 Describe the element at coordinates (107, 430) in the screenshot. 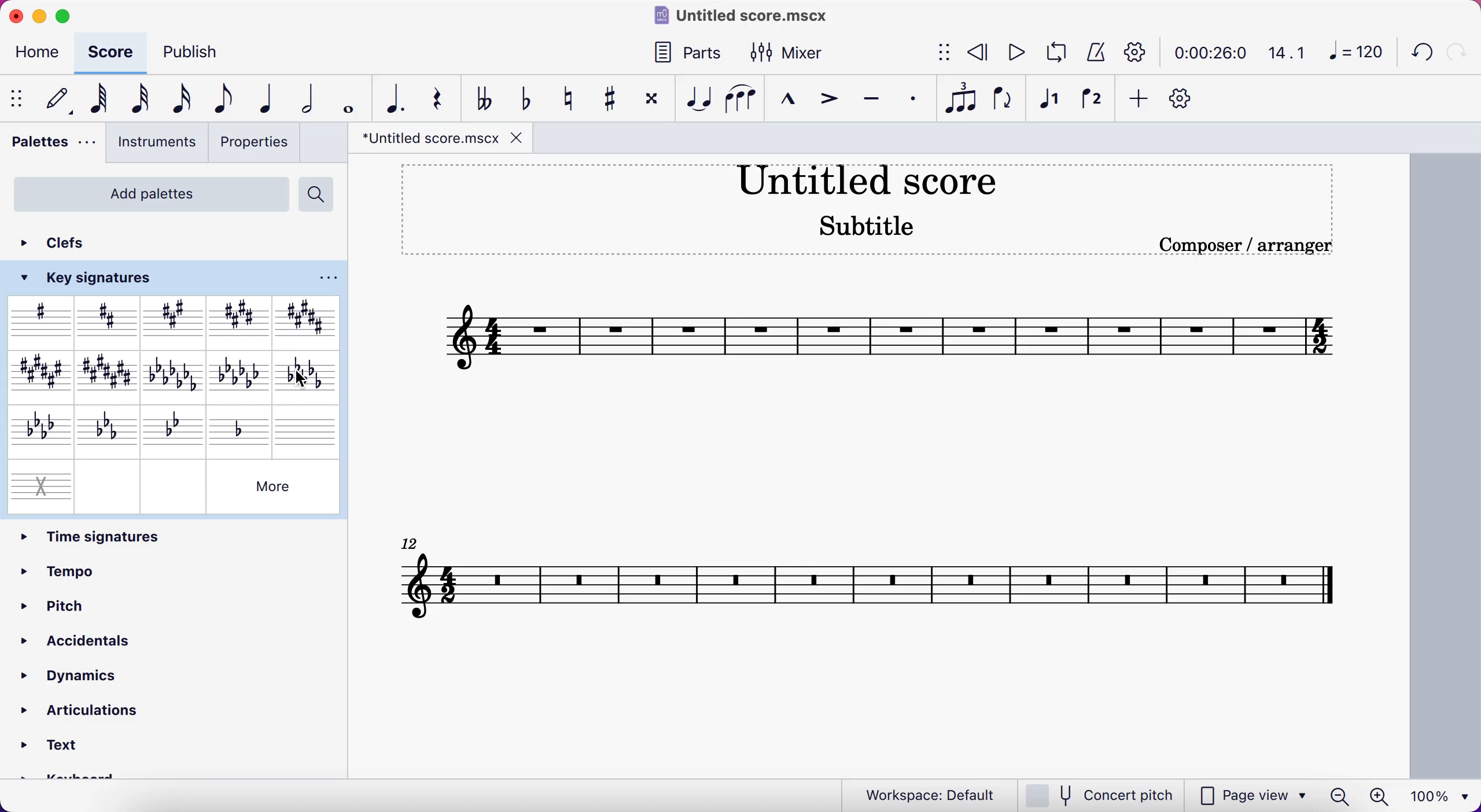

I see `C minor` at that location.